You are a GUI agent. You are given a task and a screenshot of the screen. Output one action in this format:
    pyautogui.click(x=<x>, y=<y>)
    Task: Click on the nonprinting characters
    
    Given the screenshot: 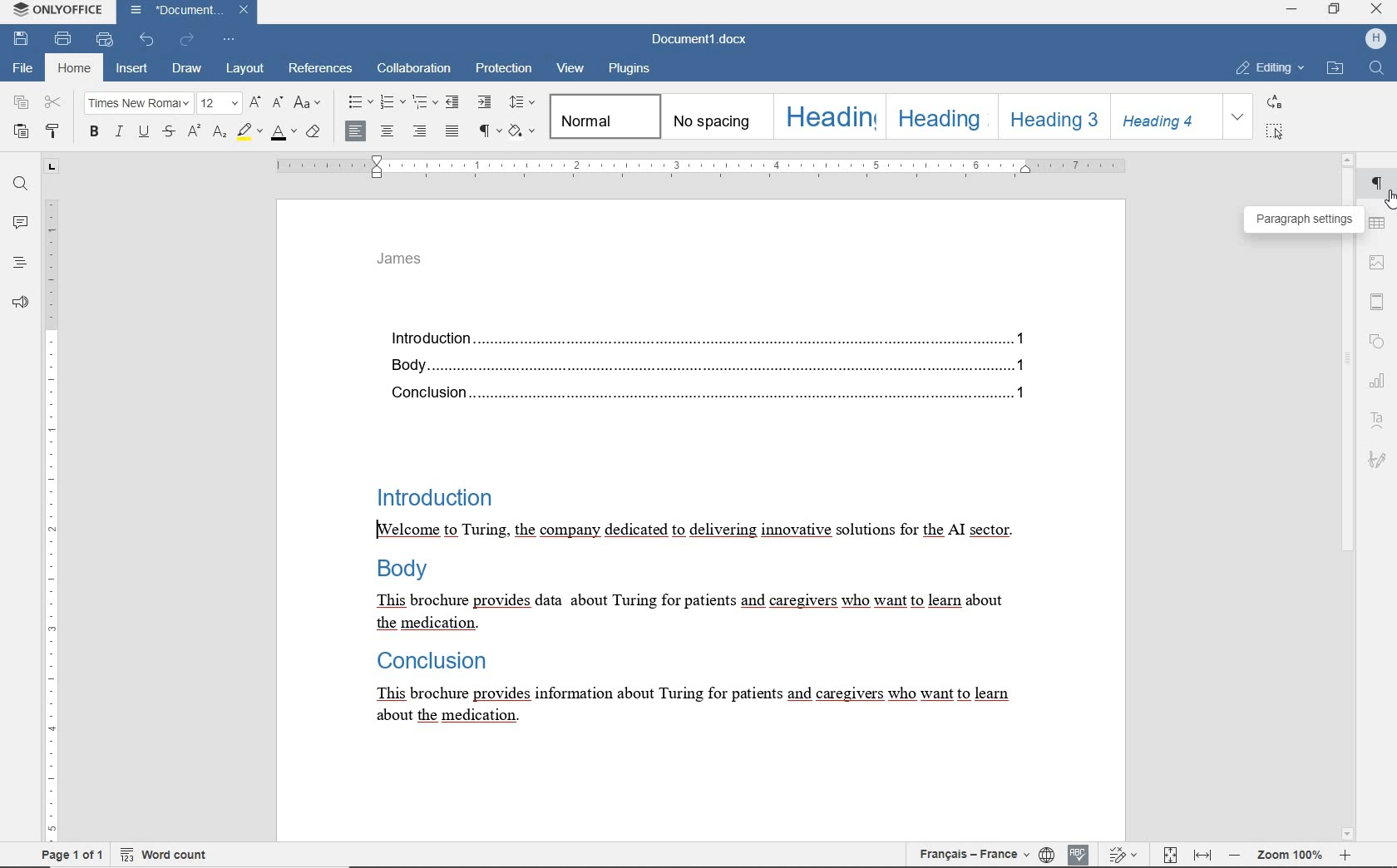 What is the action you would take?
    pyautogui.click(x=488, y=131)
    